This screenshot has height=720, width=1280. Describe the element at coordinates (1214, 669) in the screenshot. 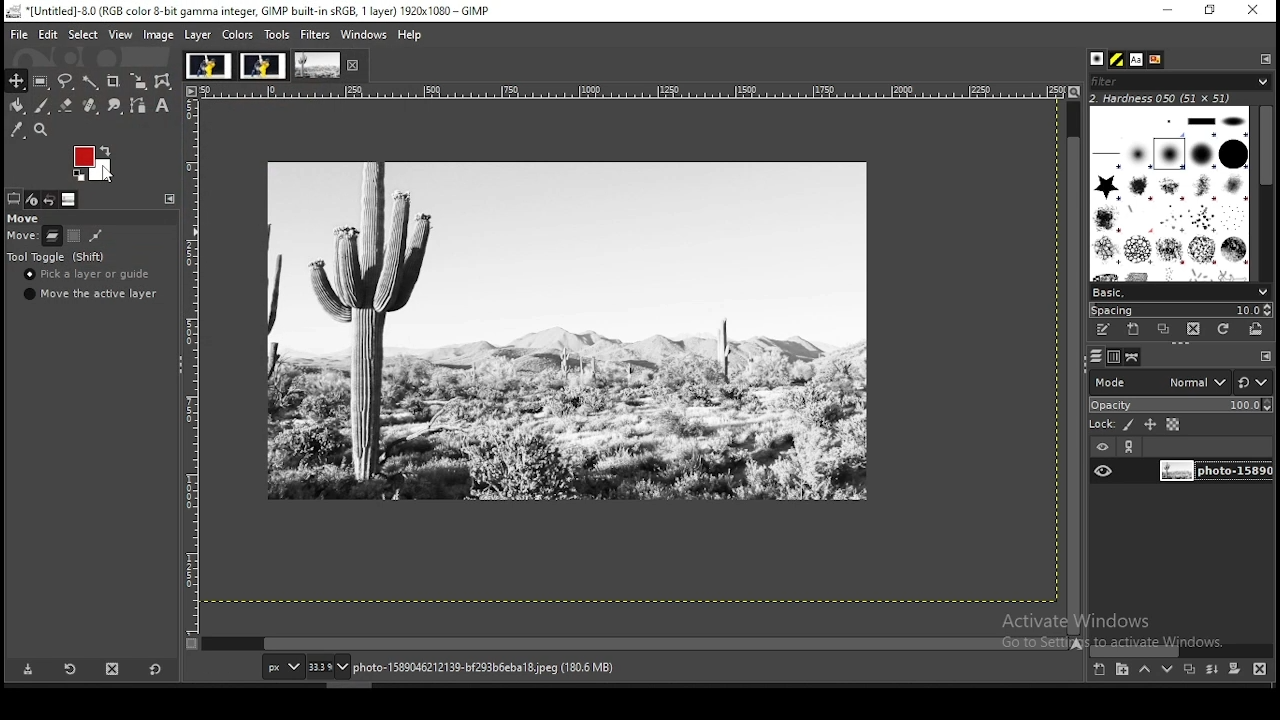

I see `merge layer` at that location.